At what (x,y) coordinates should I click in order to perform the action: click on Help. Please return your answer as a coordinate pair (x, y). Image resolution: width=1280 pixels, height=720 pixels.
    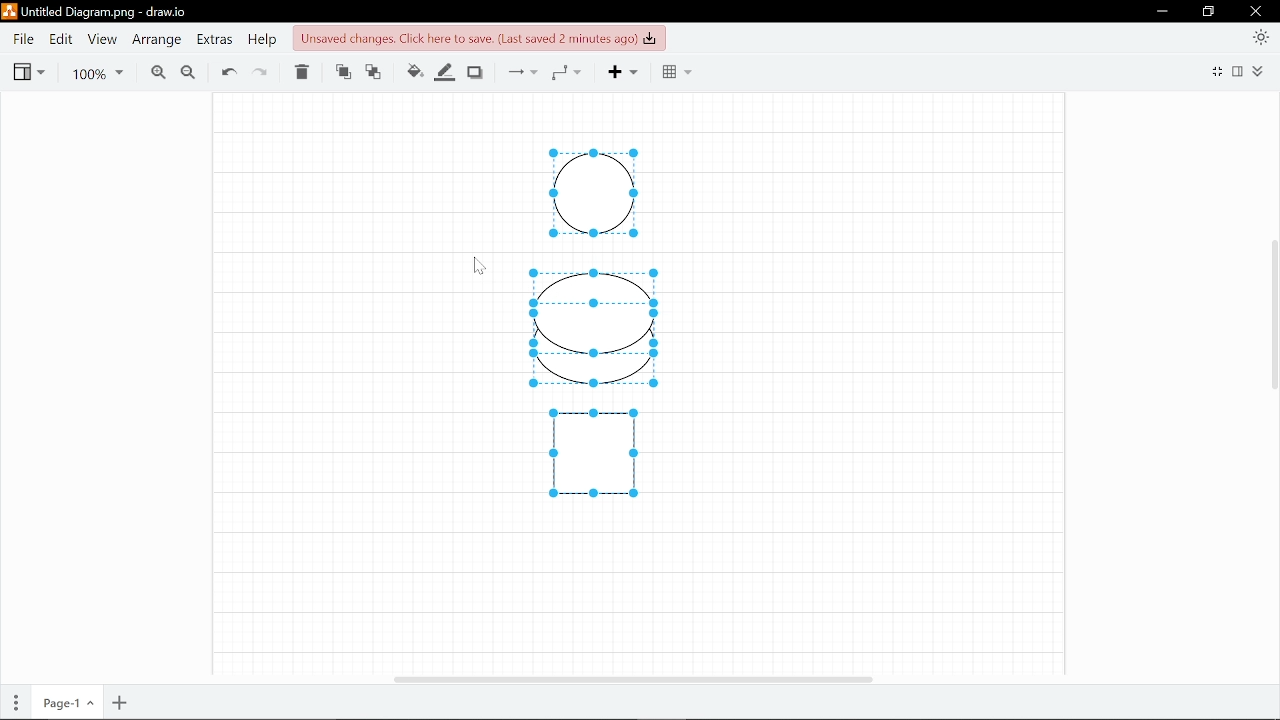
    Looking at the image, I should click on (261, 39).